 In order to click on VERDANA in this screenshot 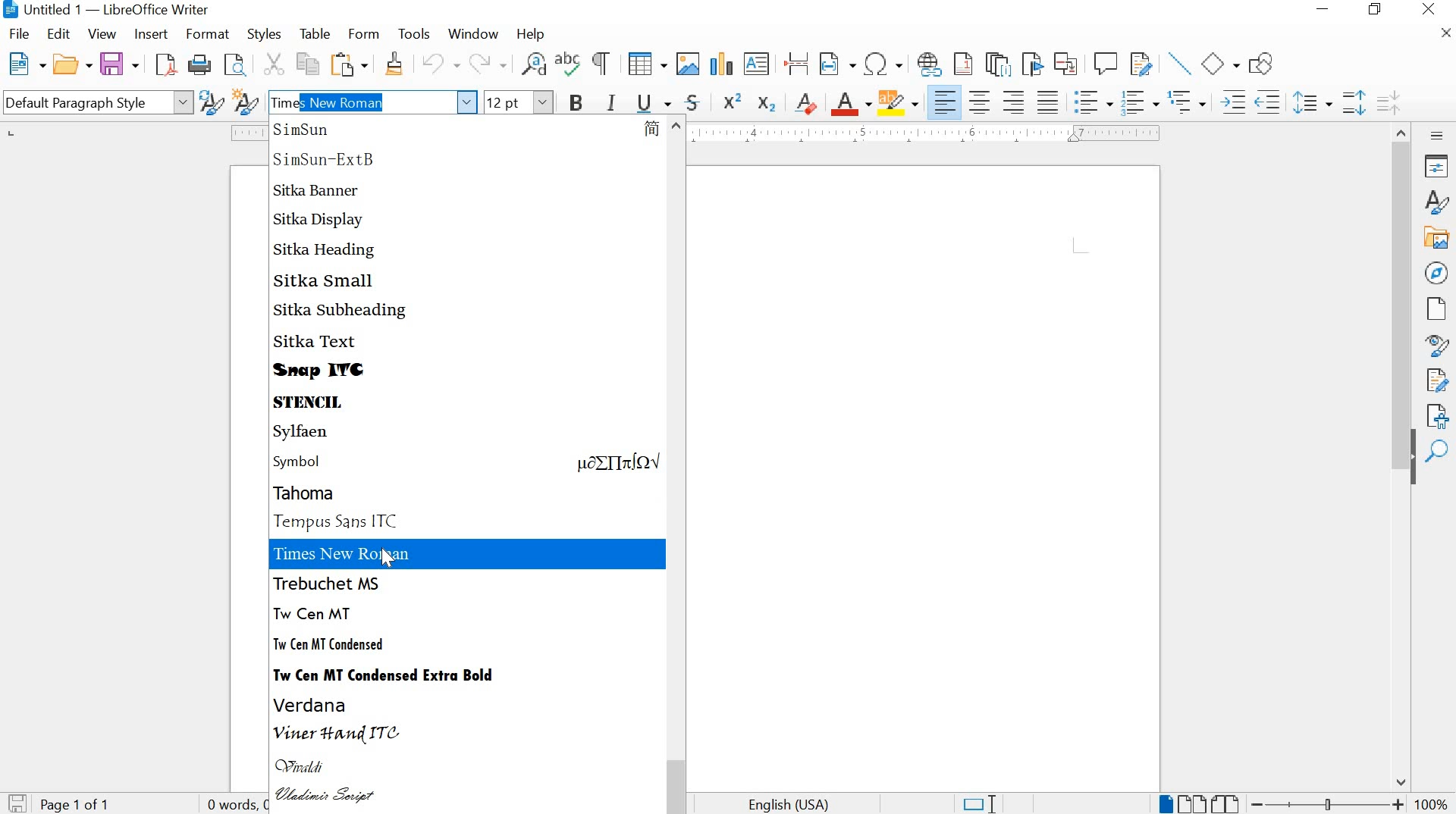, I will do `click(316, 705)`.